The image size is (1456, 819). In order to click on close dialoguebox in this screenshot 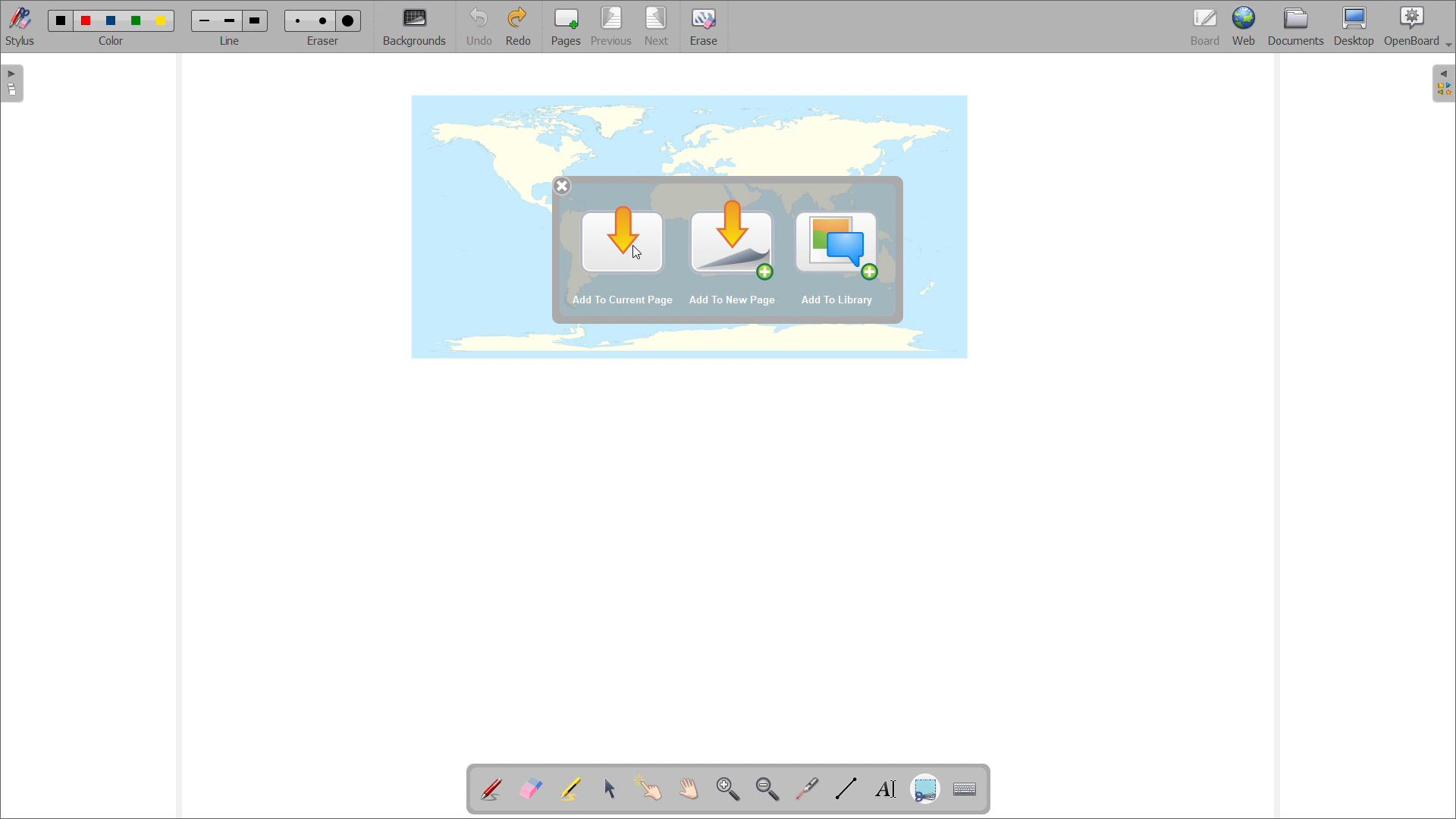, I will do `click(563, 187)`.